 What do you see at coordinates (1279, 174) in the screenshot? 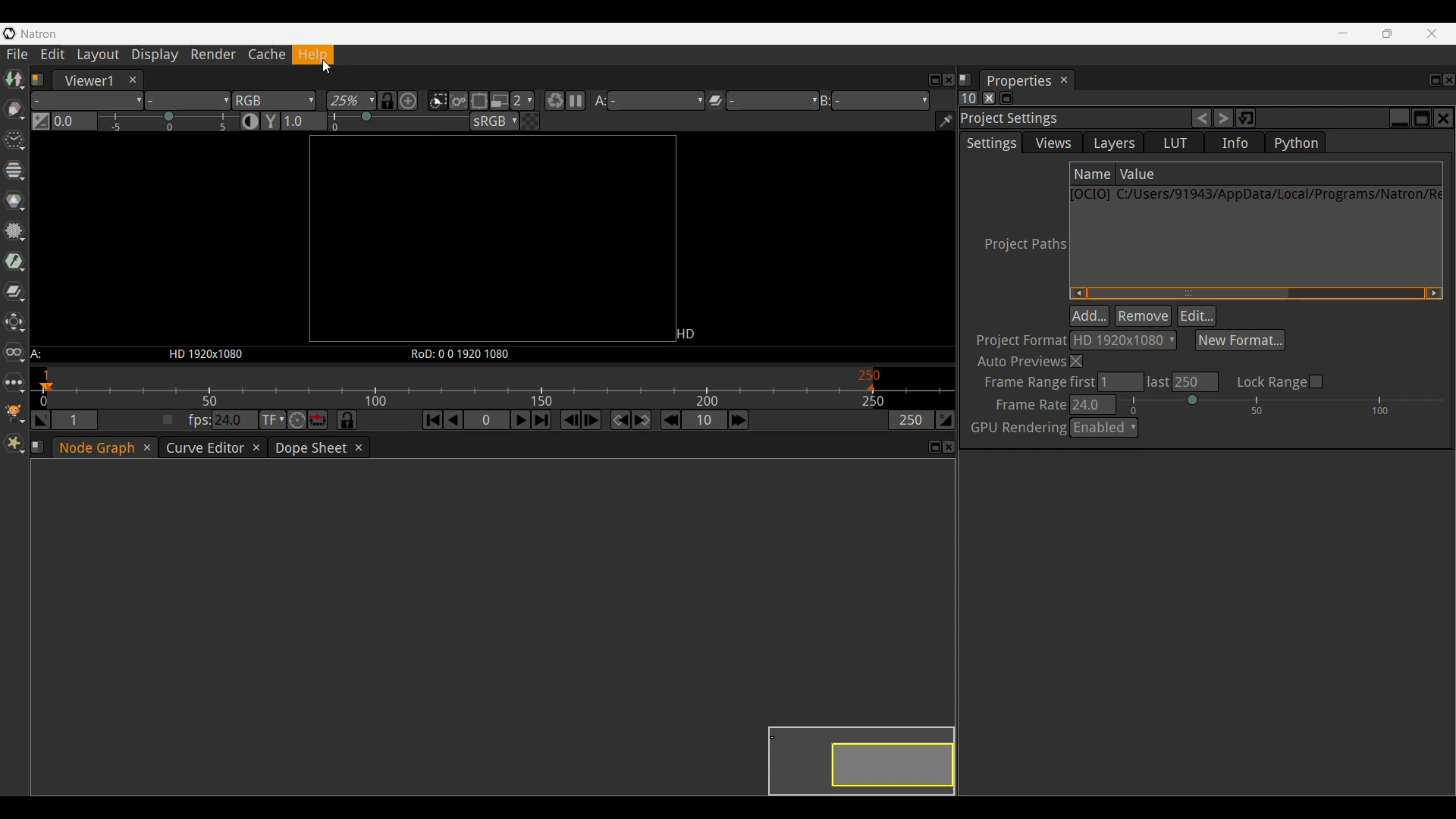
I see `Value ` at bounding box center [1279, 174].